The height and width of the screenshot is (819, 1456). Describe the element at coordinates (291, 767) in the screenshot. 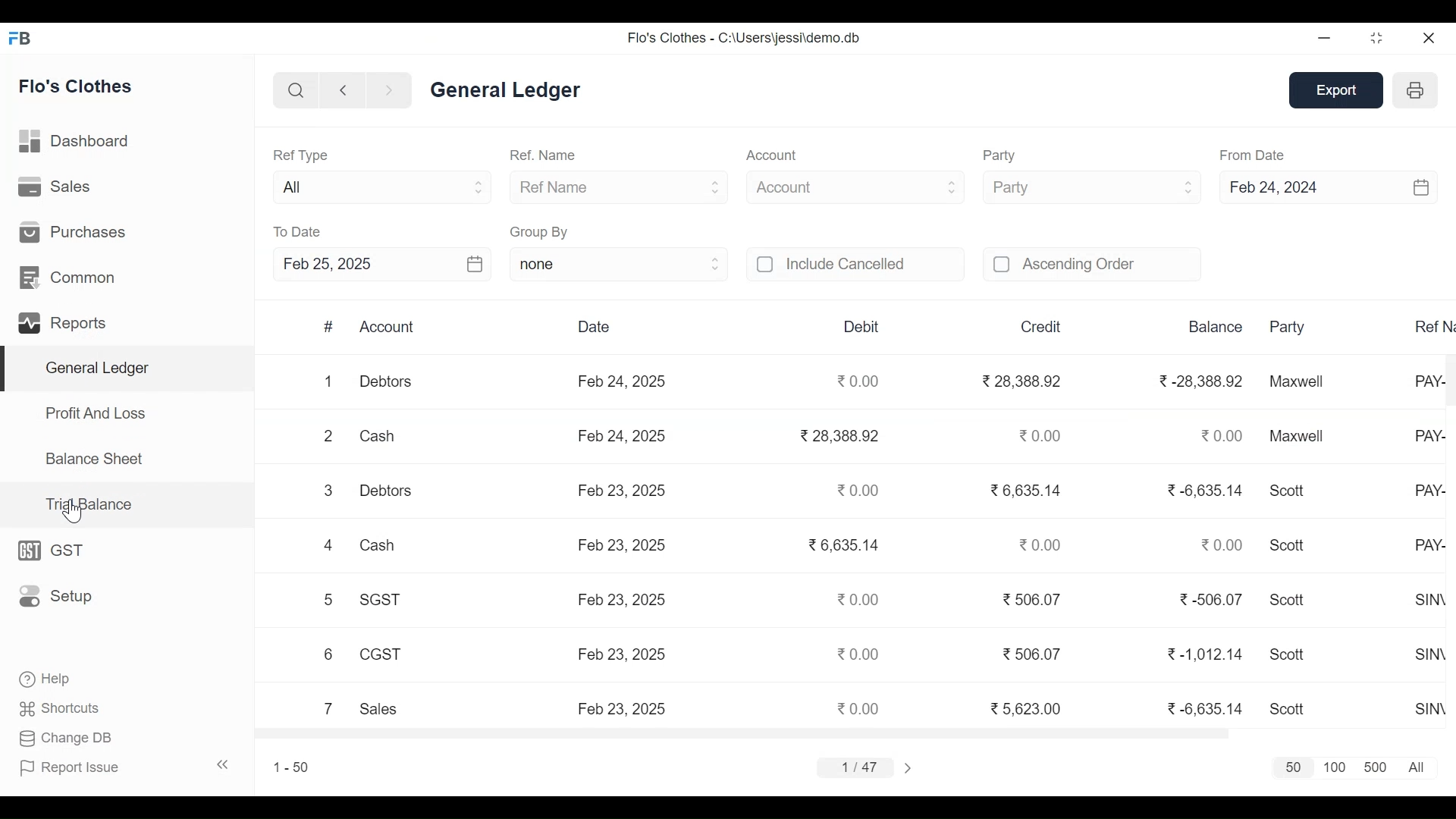

I see `1-50` at that location.